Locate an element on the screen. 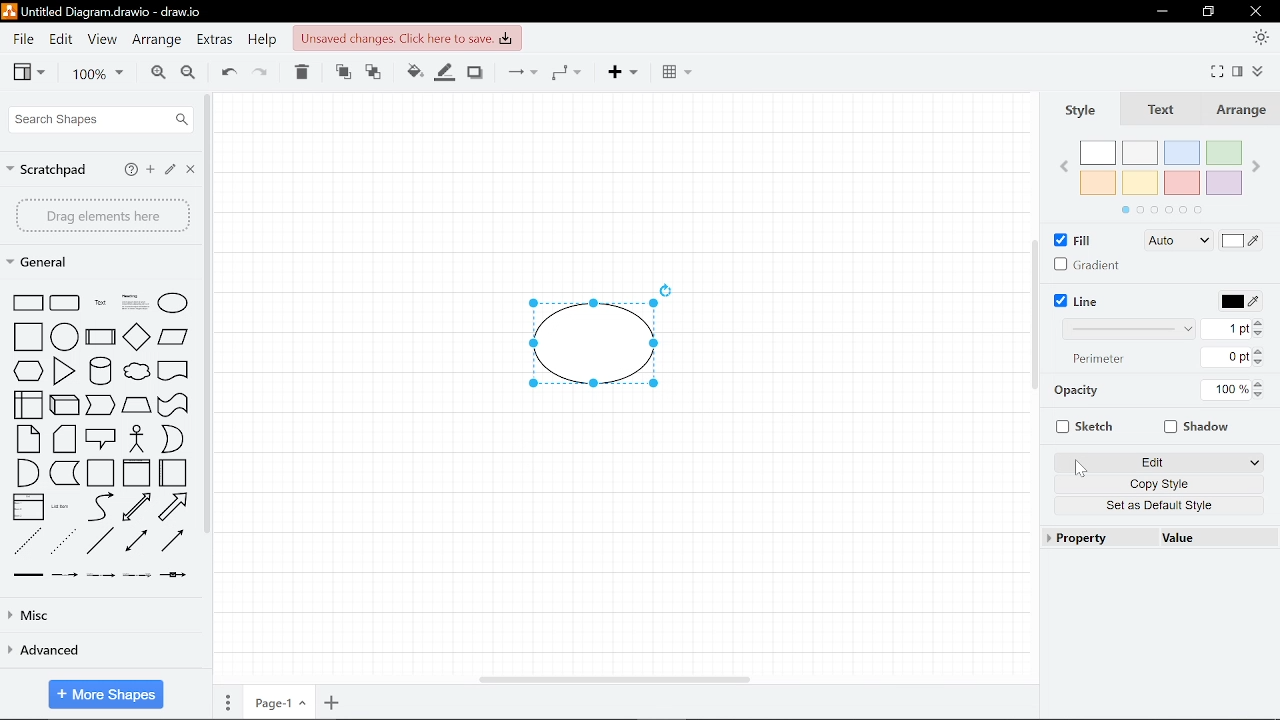 This screenshot has width=1280, height=720. Decrease line width is located at coordinates (1263, 336).